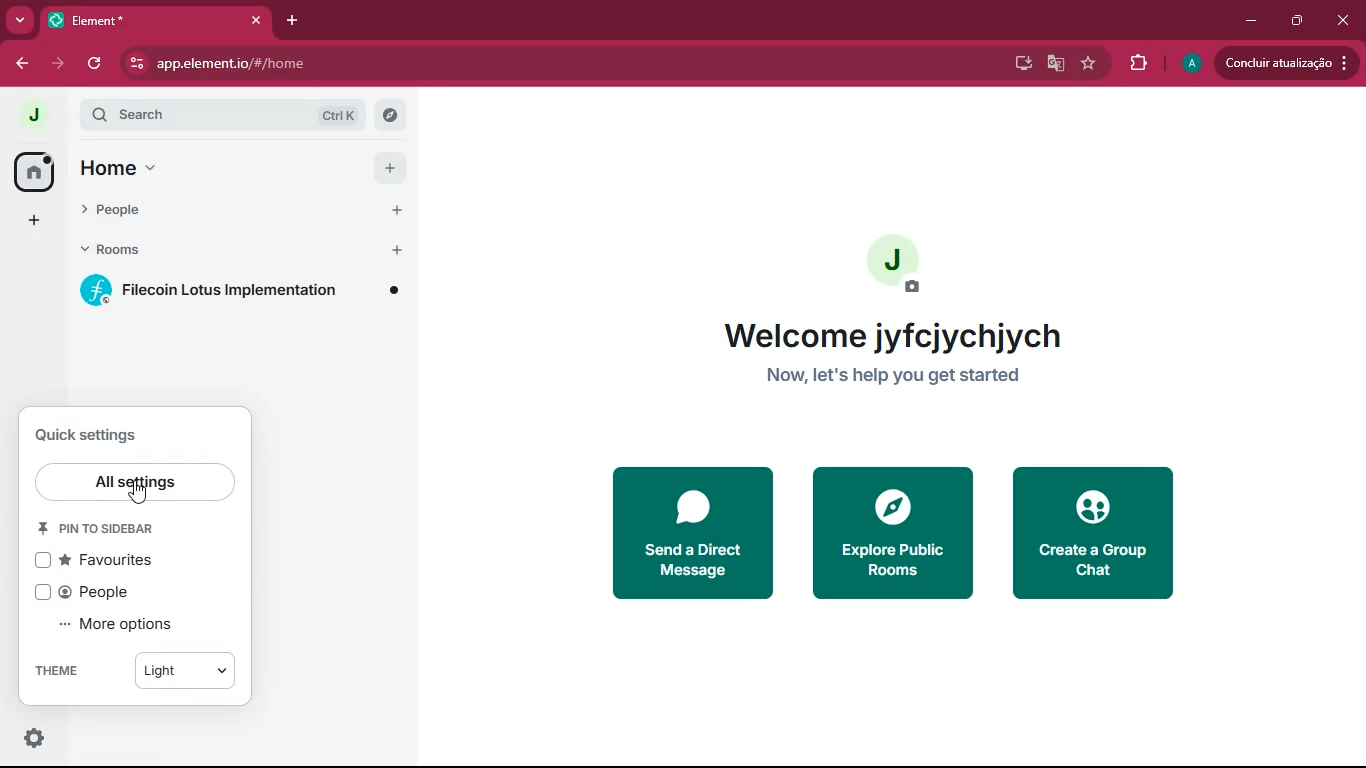 This screenshot has height=768, width=1366. Describe the element at coordinates (120, 169) in the screenshot. I see `home` at that location.